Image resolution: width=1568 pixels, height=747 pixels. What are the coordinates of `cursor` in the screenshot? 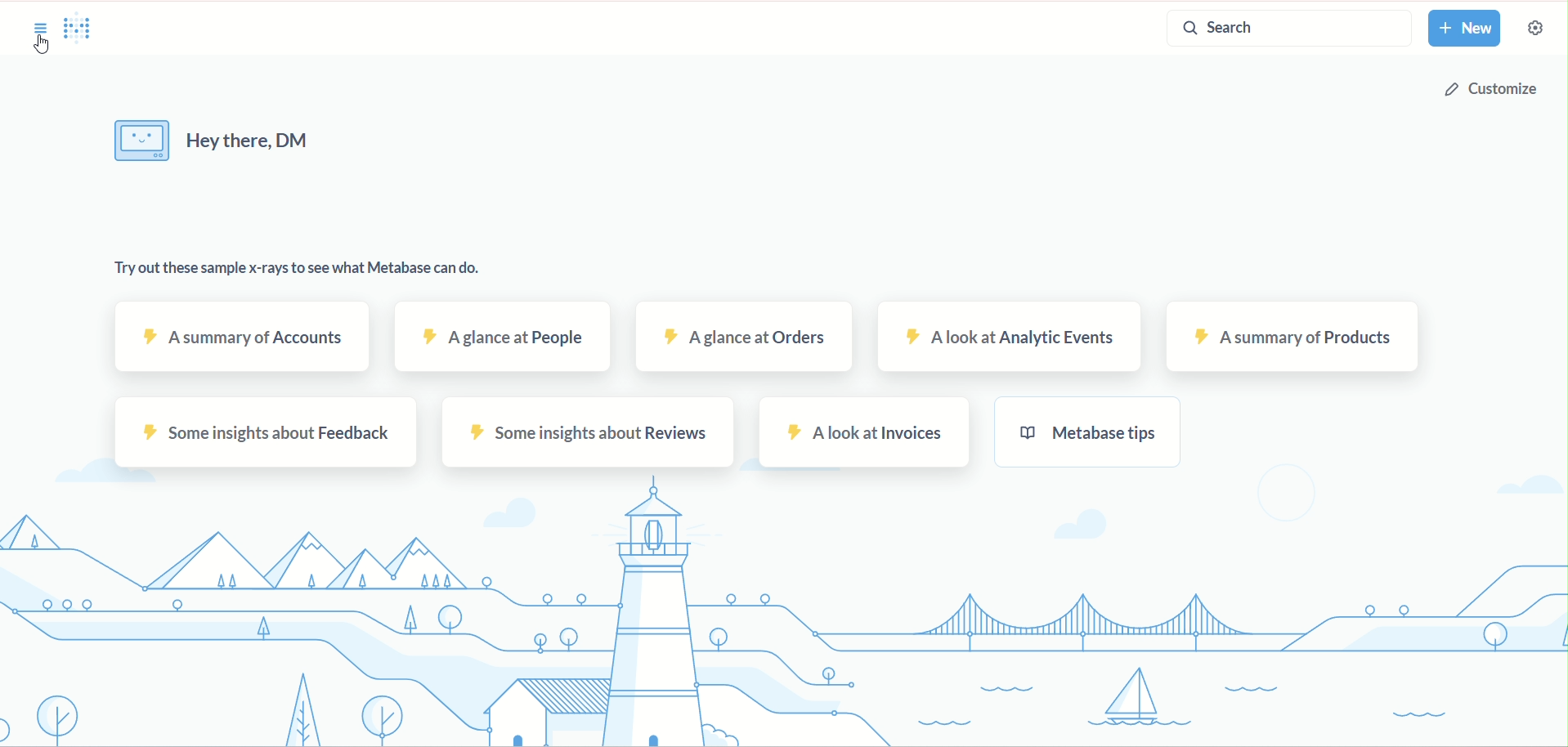 It's located at (40, 47).